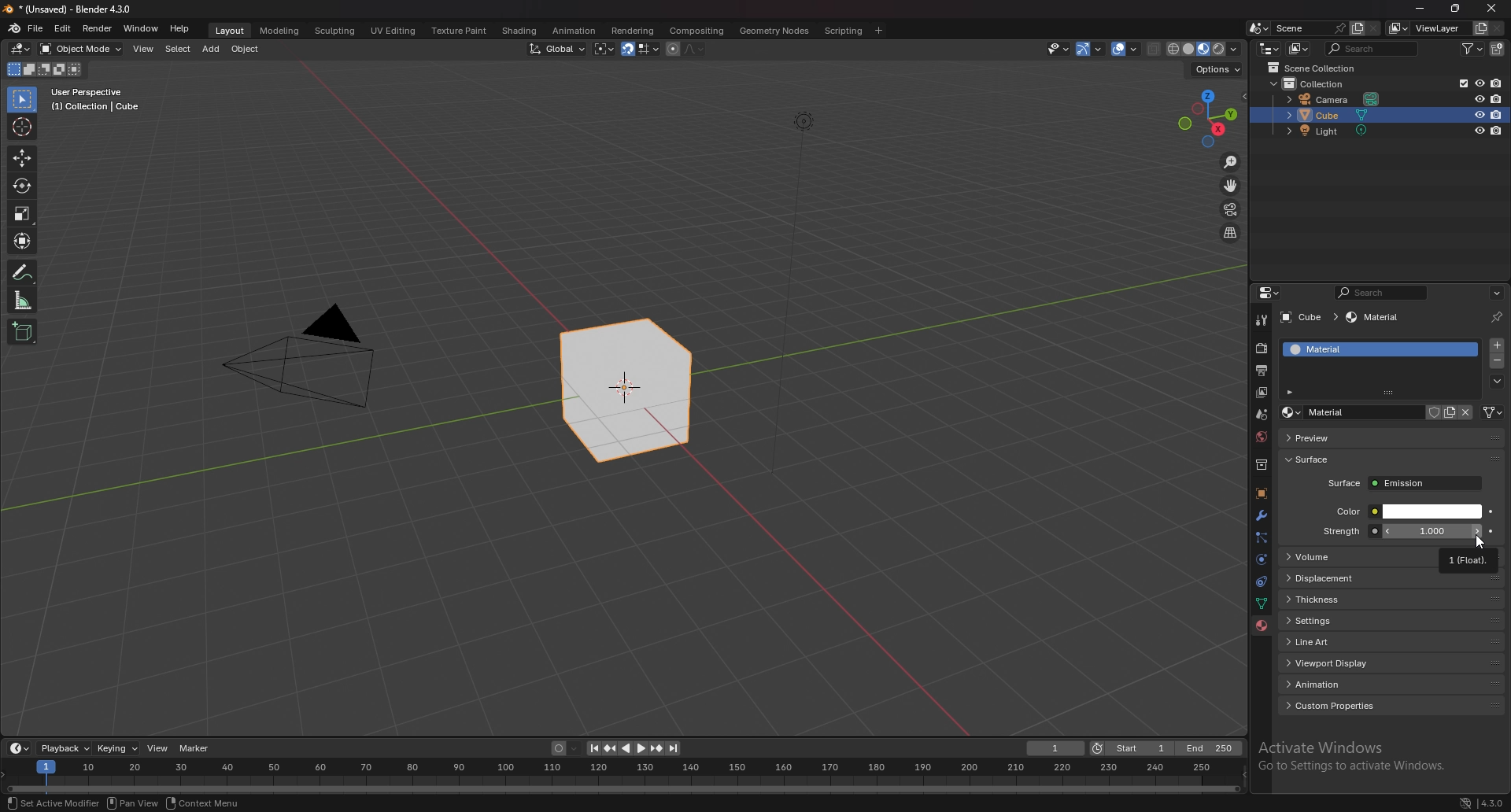 The width and height of the screenshot is (1511, 812). What do you see at coordinates (38, 28) in the screenshot?
I see `file` at bounding box center [38, 28].